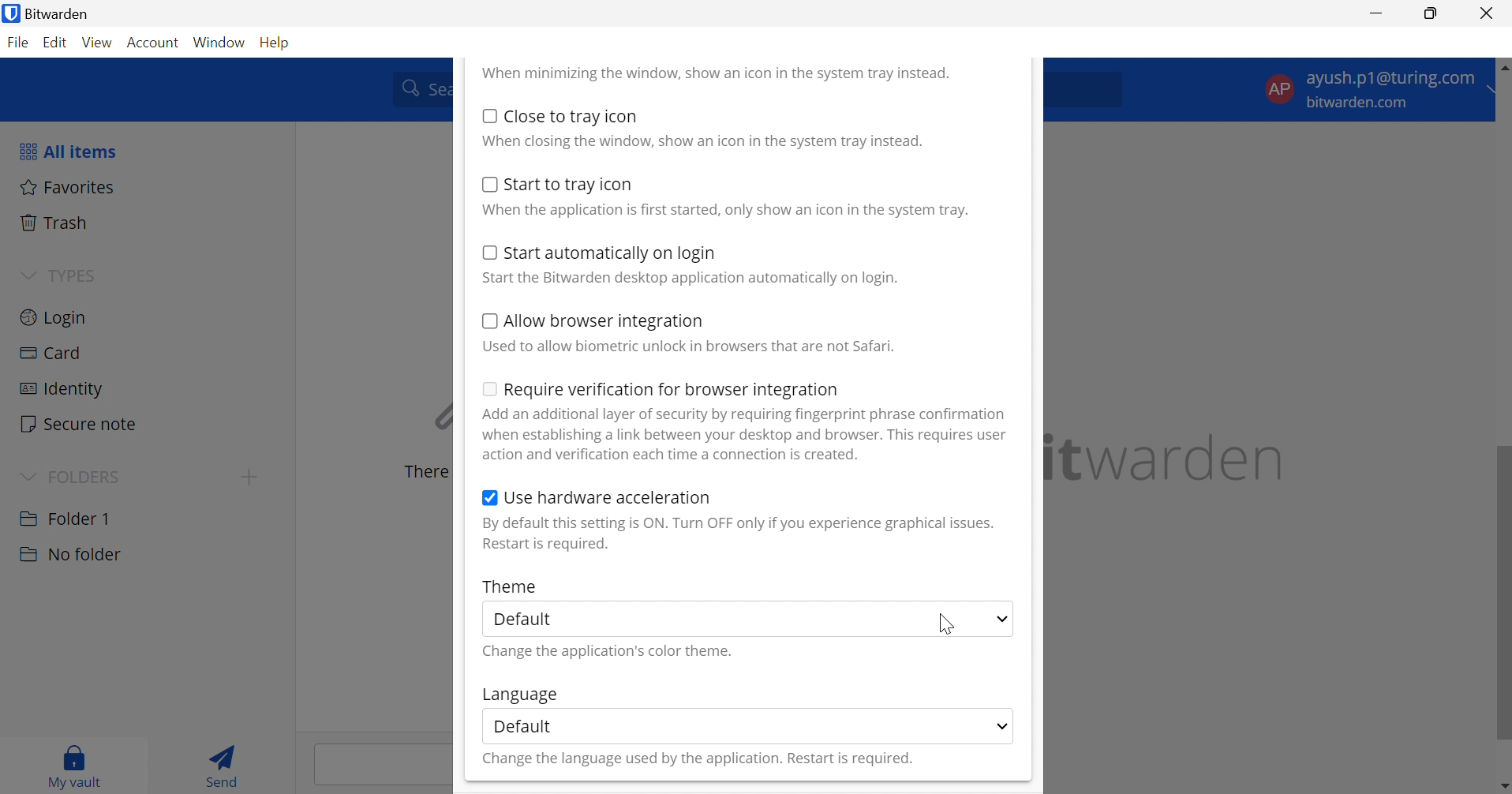 Image resolution: width=1512 pixels, height=794 pixels. Describe the element at coordinates (948, 622) in the screenshot. I see `Cursor` at that location.